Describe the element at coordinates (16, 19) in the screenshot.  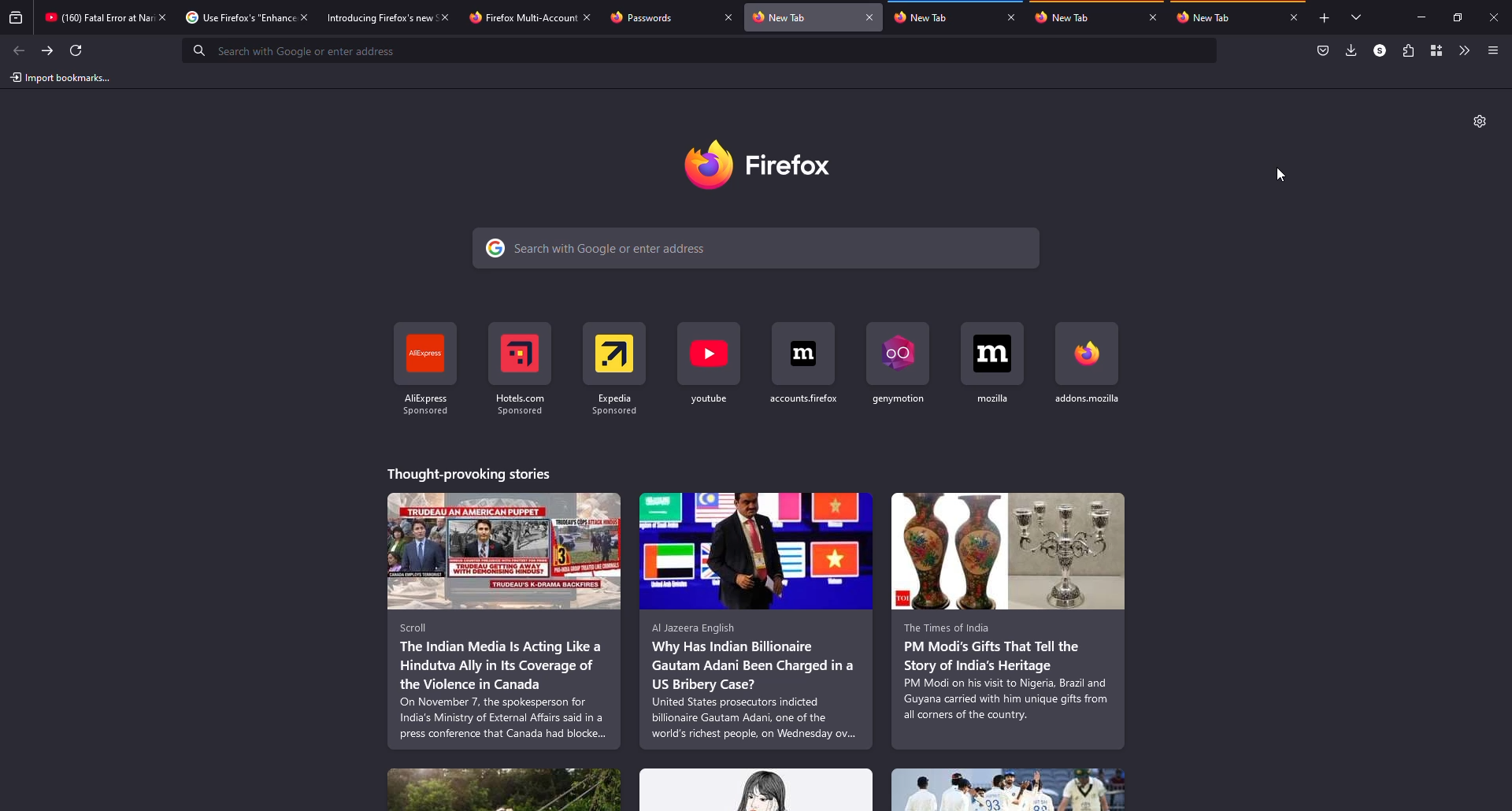
I see `view recent` at that location.